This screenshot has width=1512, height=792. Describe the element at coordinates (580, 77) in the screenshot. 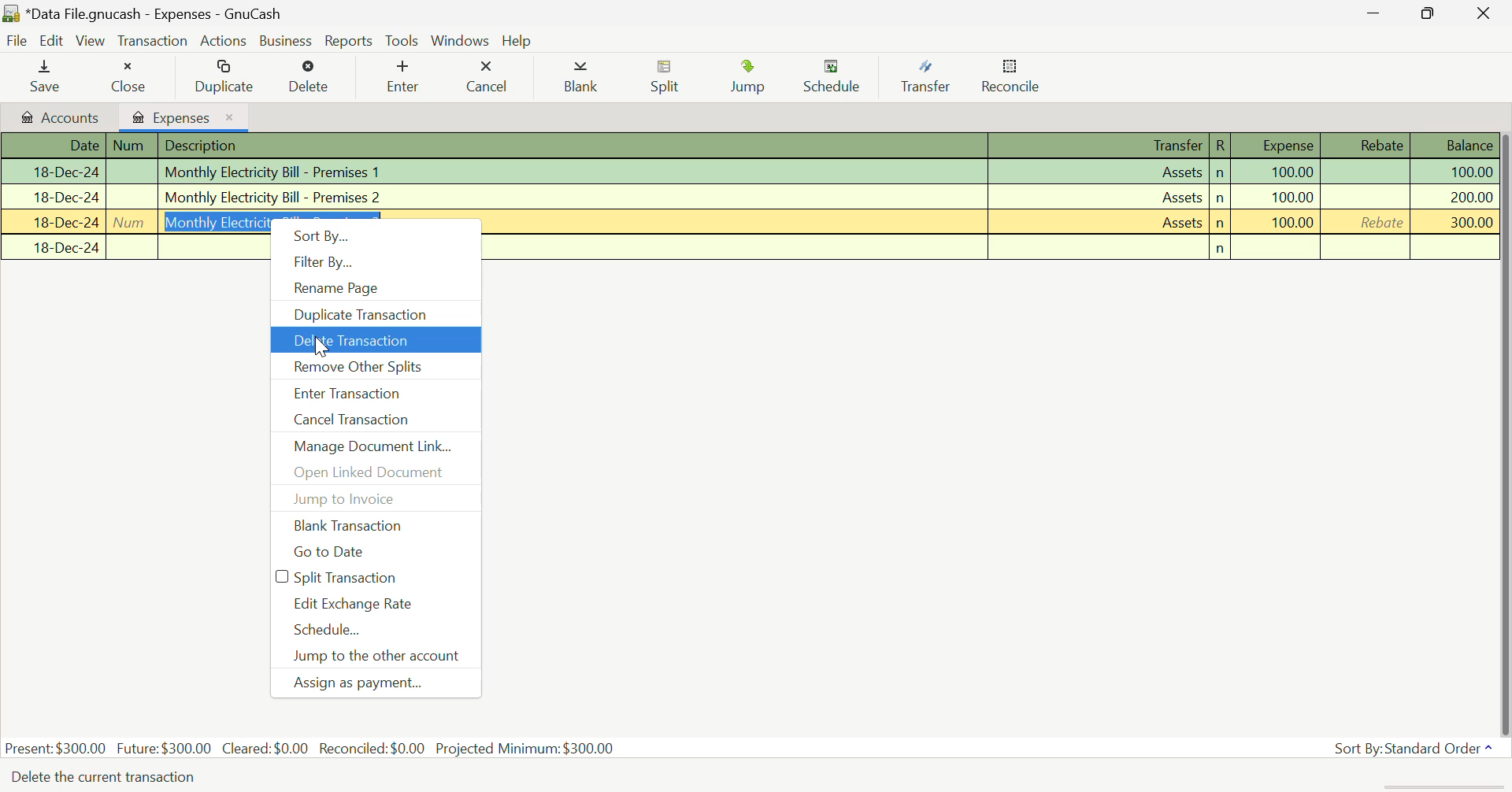

I see `Blank` at that location.